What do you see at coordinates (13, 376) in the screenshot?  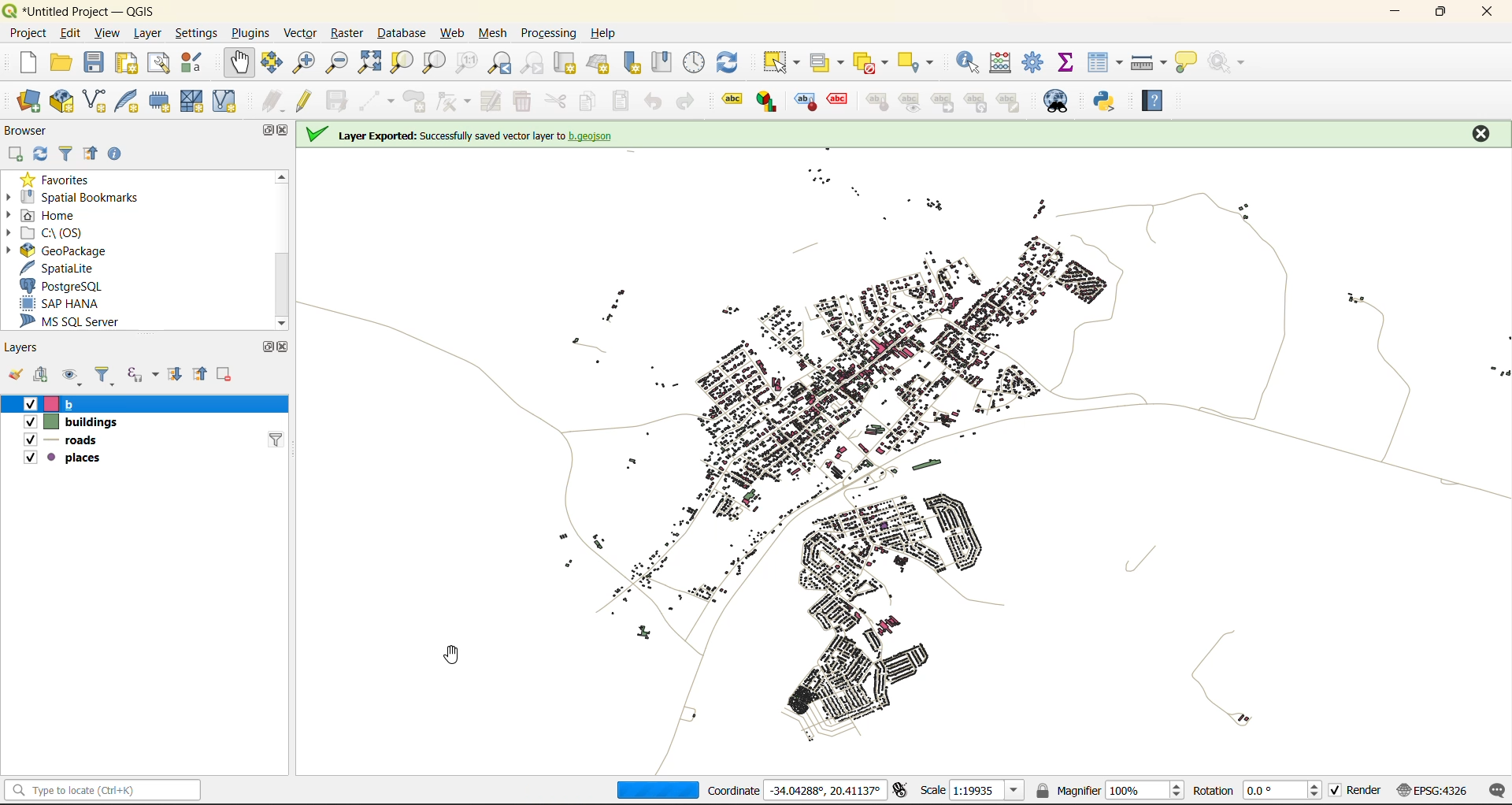 I see `open` at bounding box center [13, 376].